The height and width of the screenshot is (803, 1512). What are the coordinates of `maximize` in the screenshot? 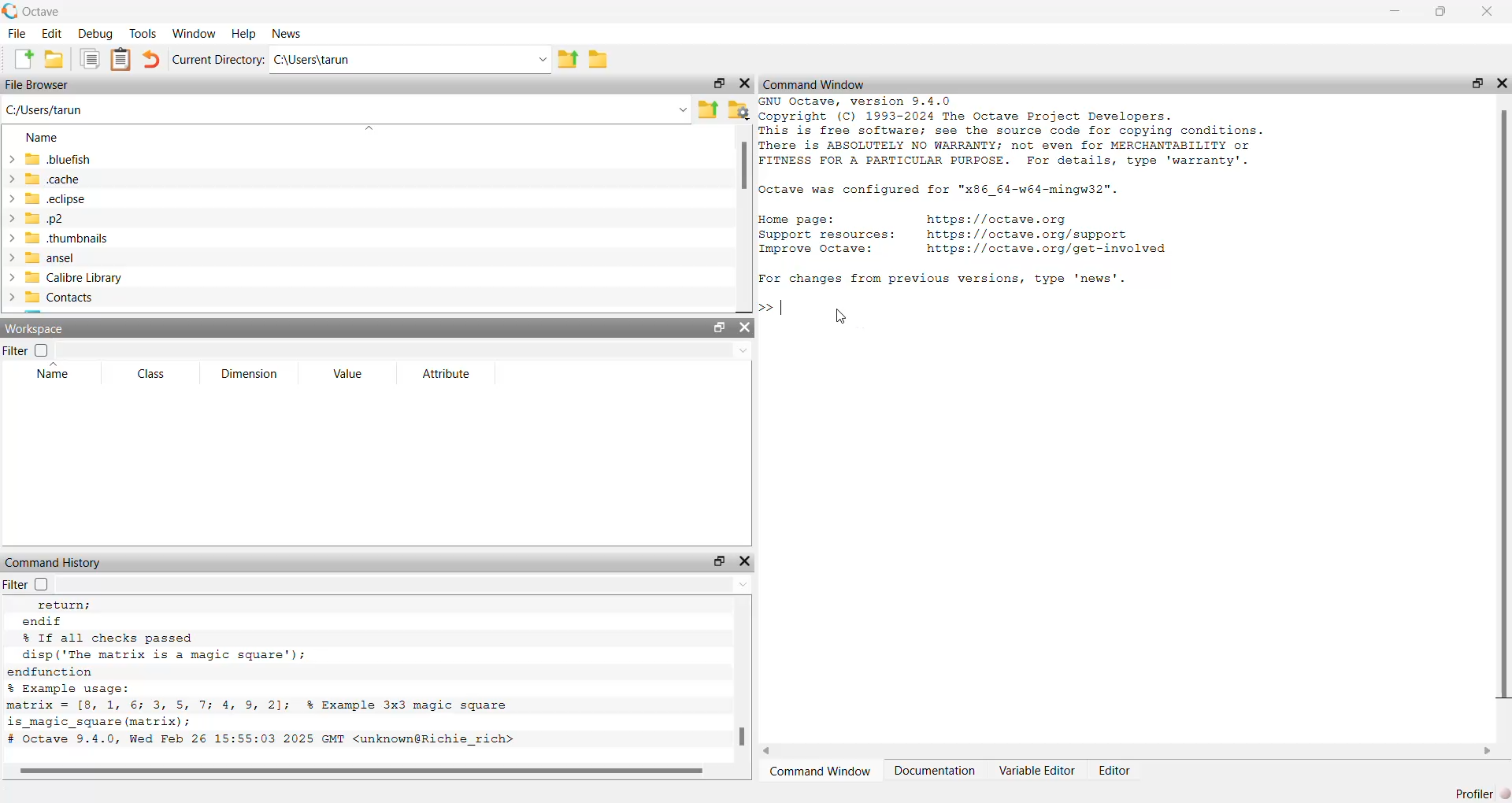 It's located at (1440, 11).